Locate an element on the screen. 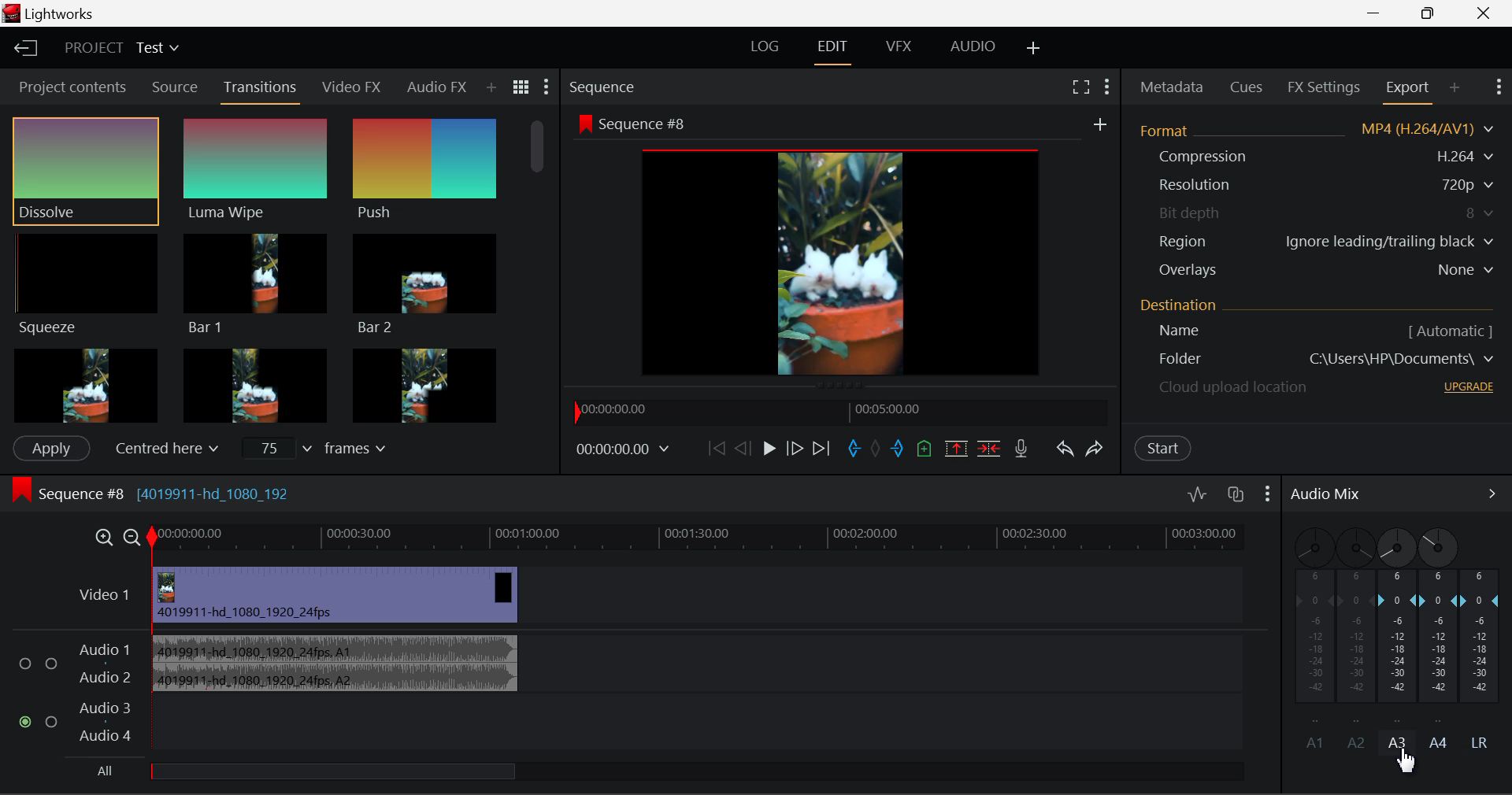  Toggle between title and list view is located at coordinates (521, 87).